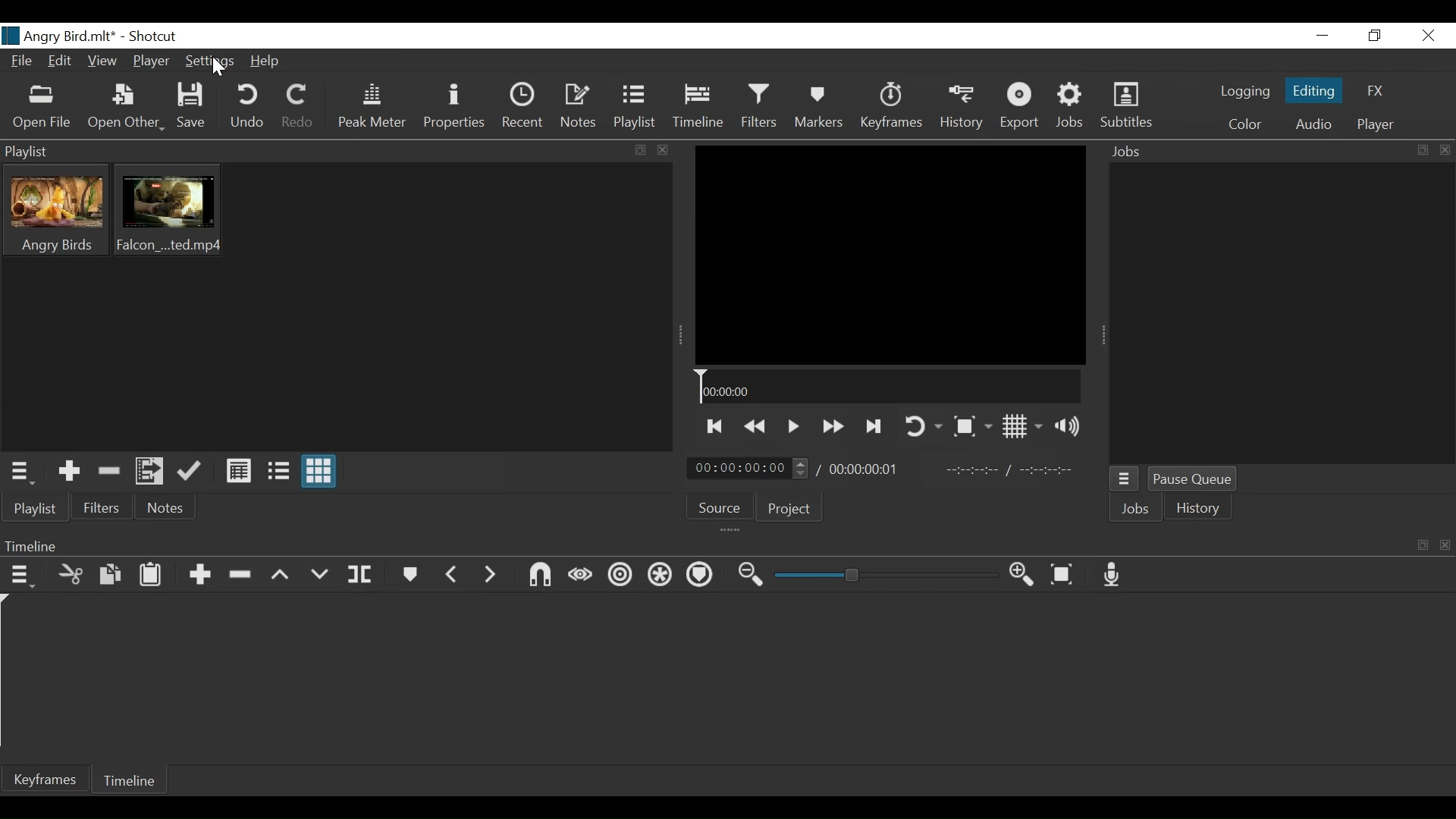 The width and height of the screenshot is (1456, 819). Describe the element at coordinates (1373, 89) in the screenshot. I see `FX` at that location.